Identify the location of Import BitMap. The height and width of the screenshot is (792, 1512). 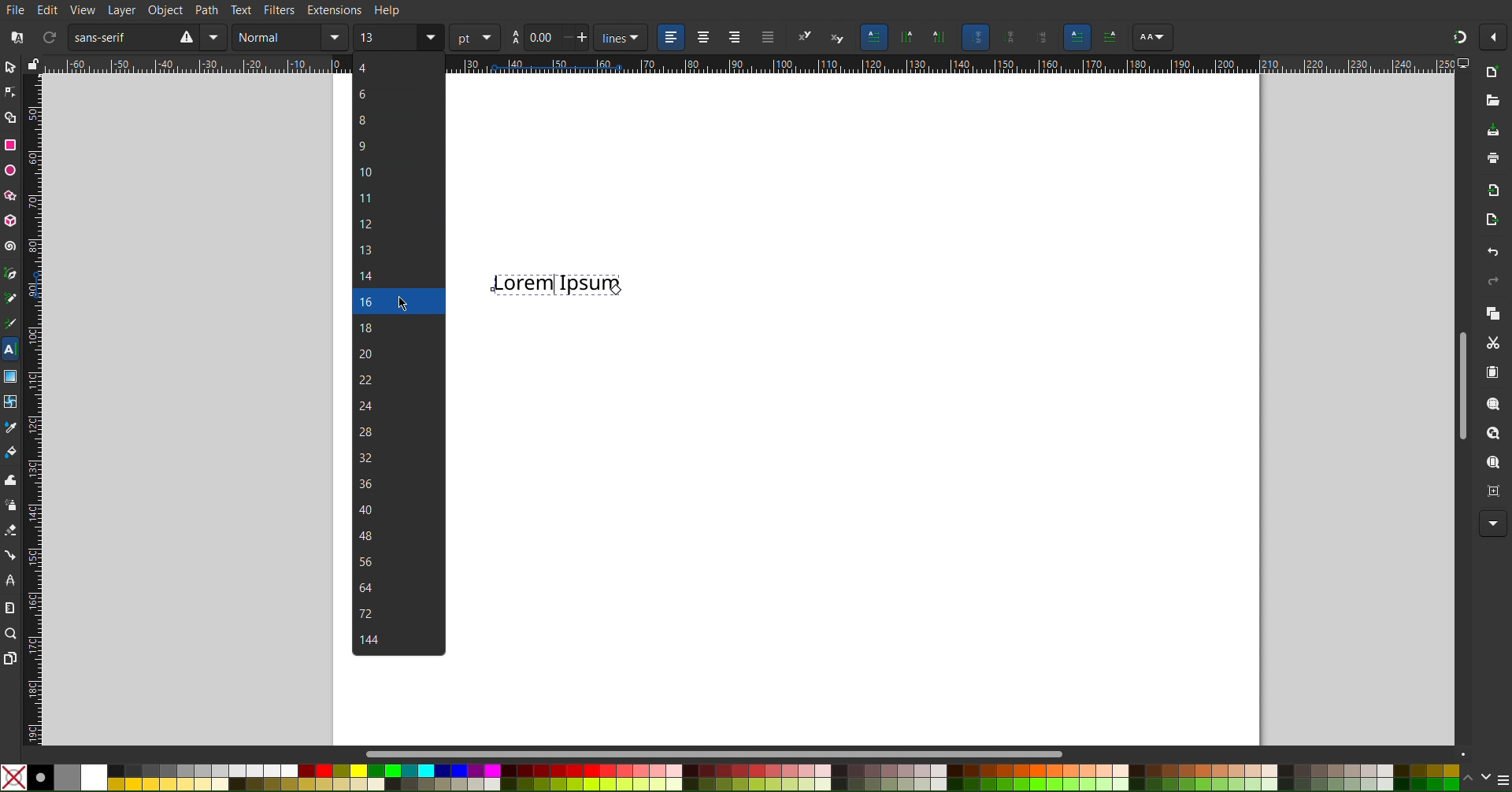
(1489, 188).